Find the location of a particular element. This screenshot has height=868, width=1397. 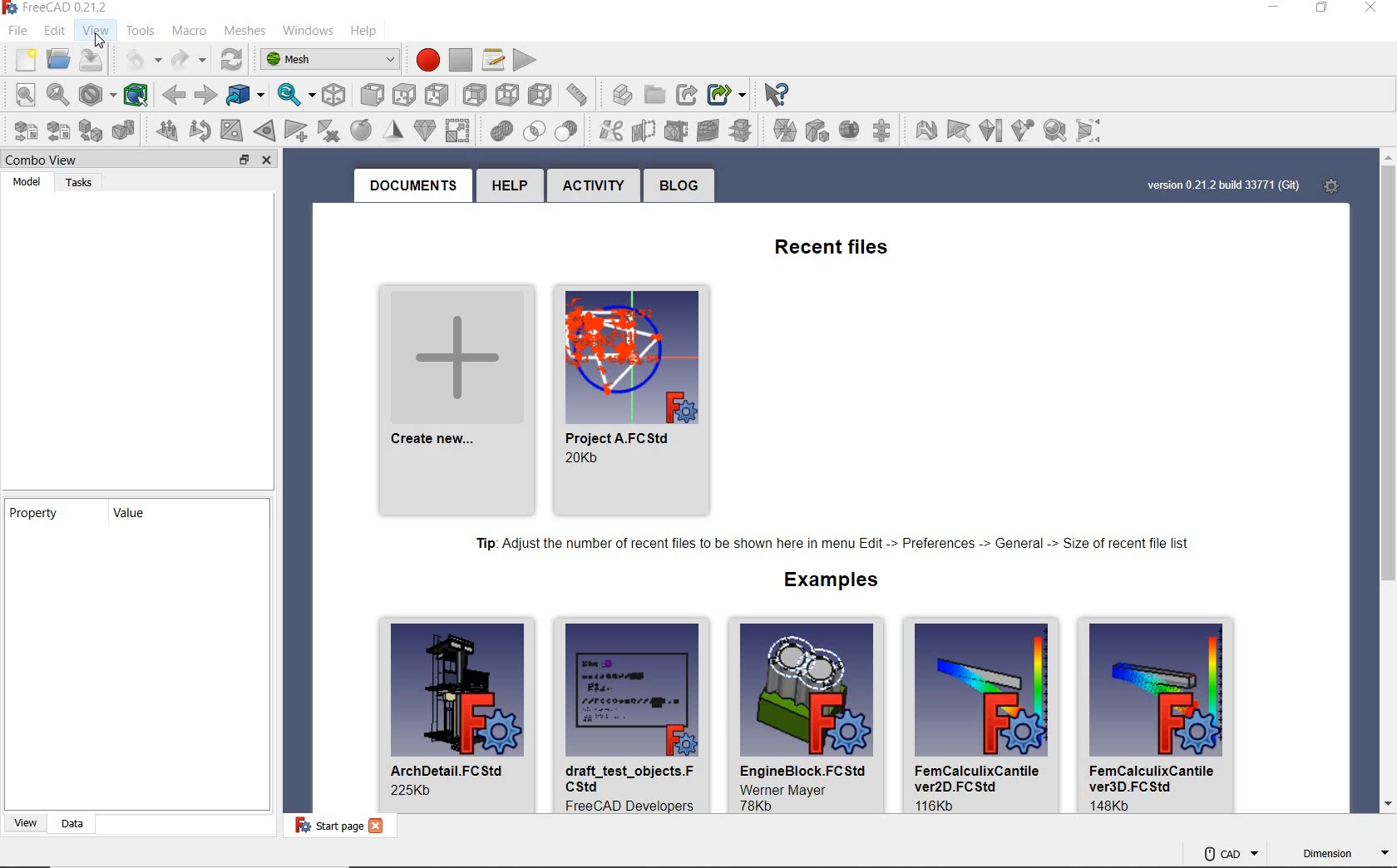

tasks is located at coordinates (73, 183).